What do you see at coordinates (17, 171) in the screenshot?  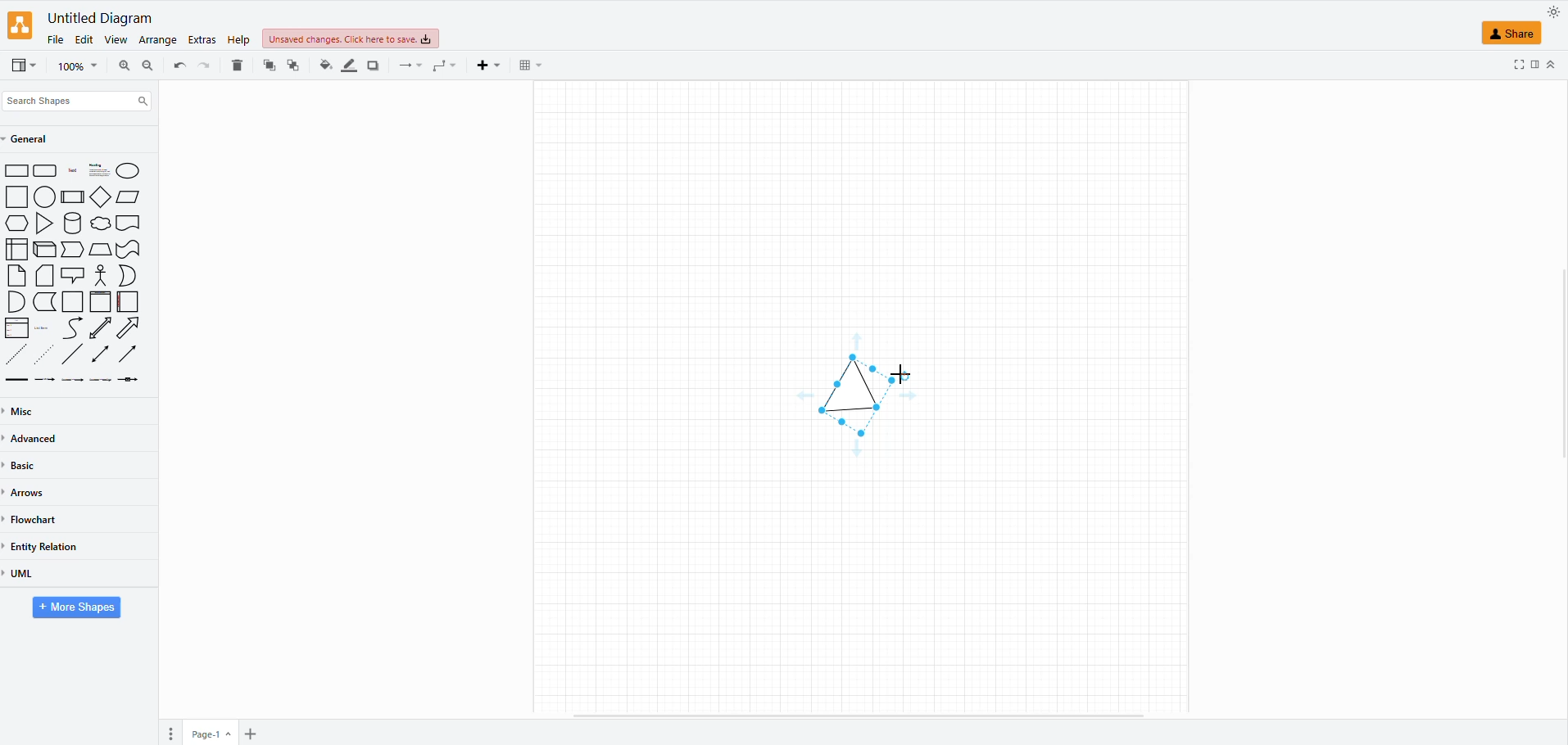 I see `Rectangle` at bounding box center [17, 171].